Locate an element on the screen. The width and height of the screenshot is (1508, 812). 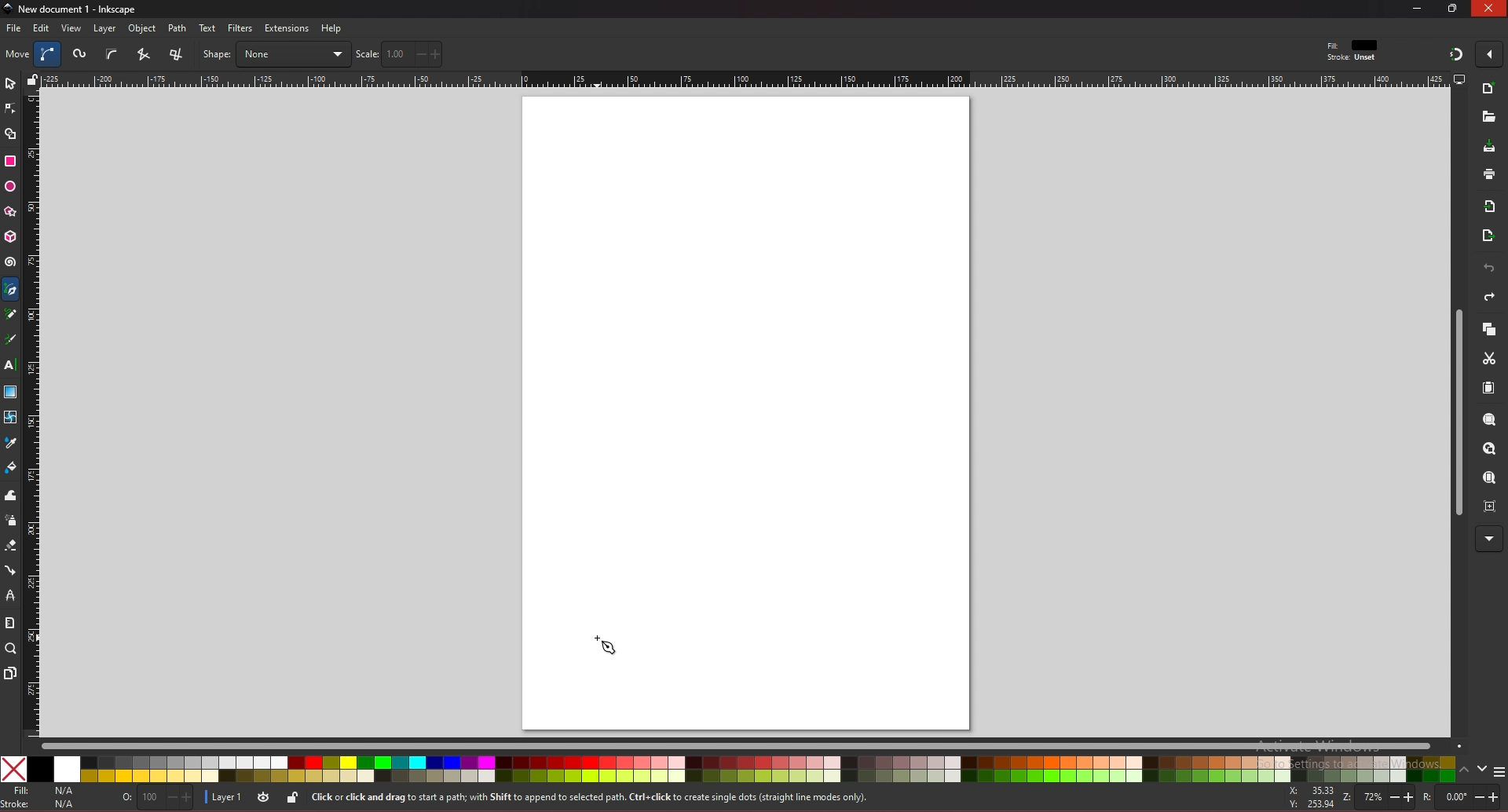
minimize is located at coordinates (1418, 8).